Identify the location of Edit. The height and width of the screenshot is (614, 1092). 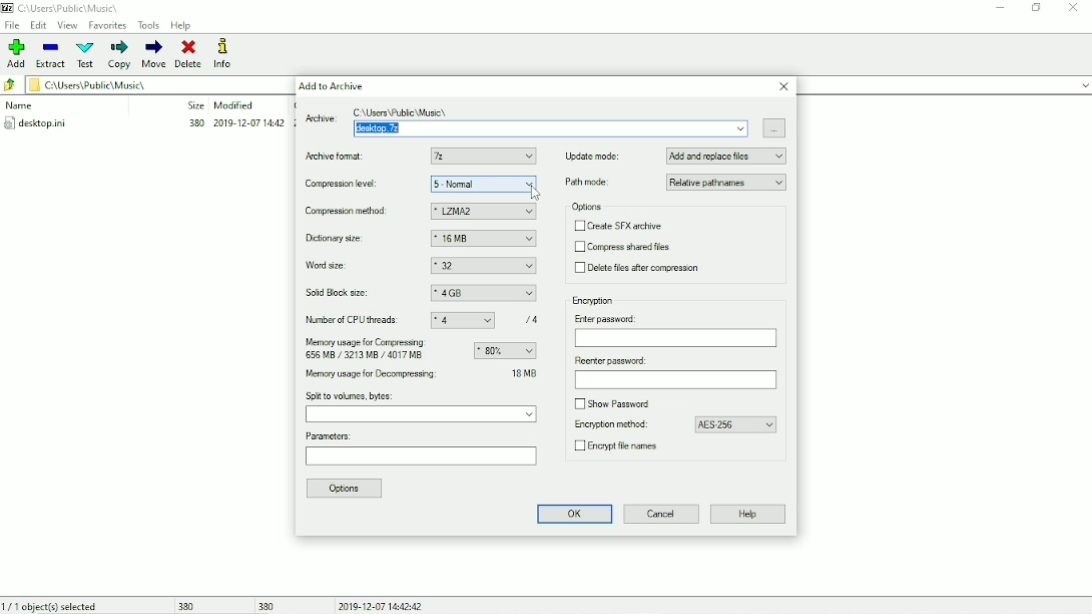
(39, 25).